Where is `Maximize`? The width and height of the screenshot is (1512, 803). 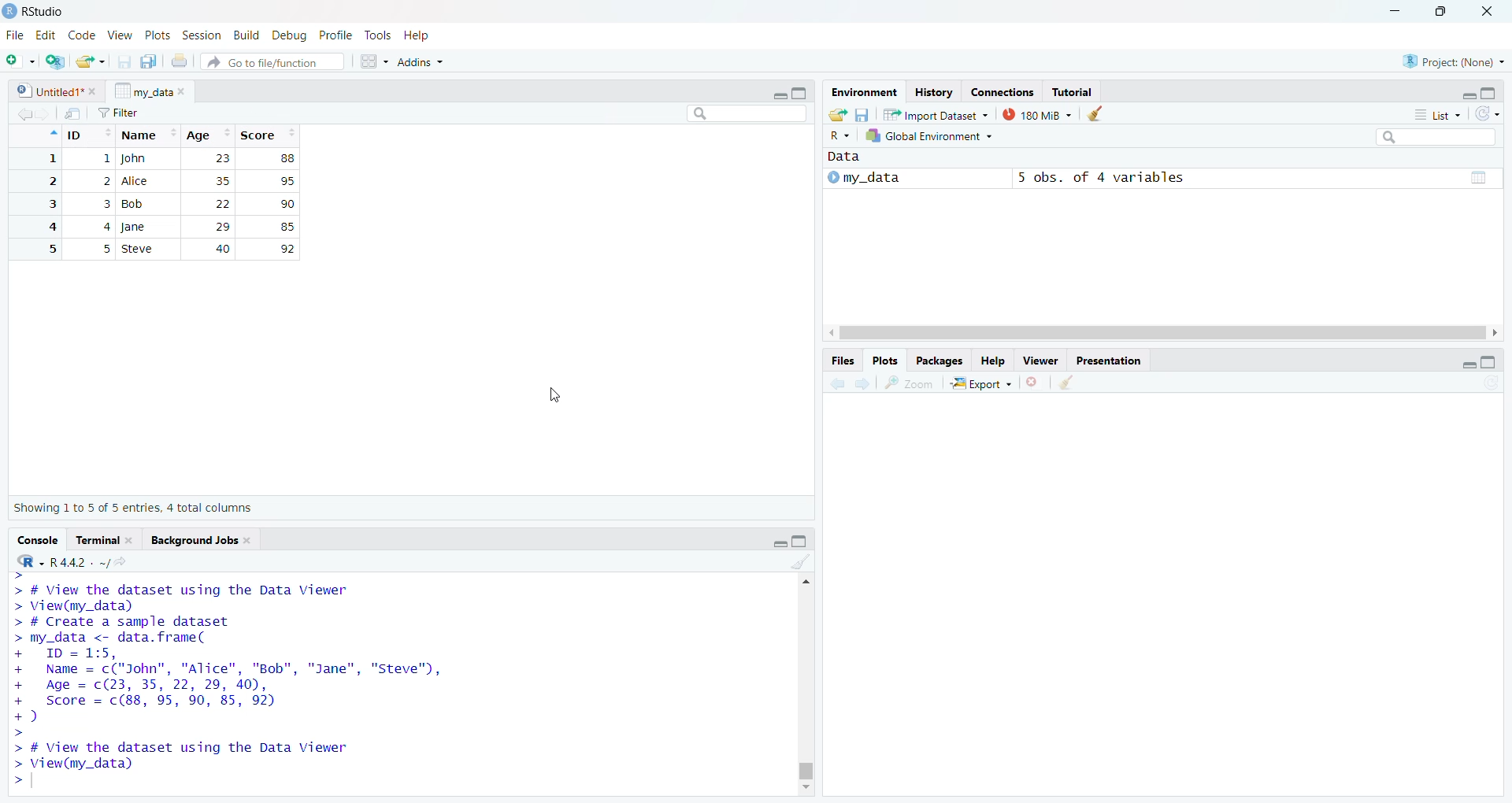 Maximize is located at coordinates (800, 94).